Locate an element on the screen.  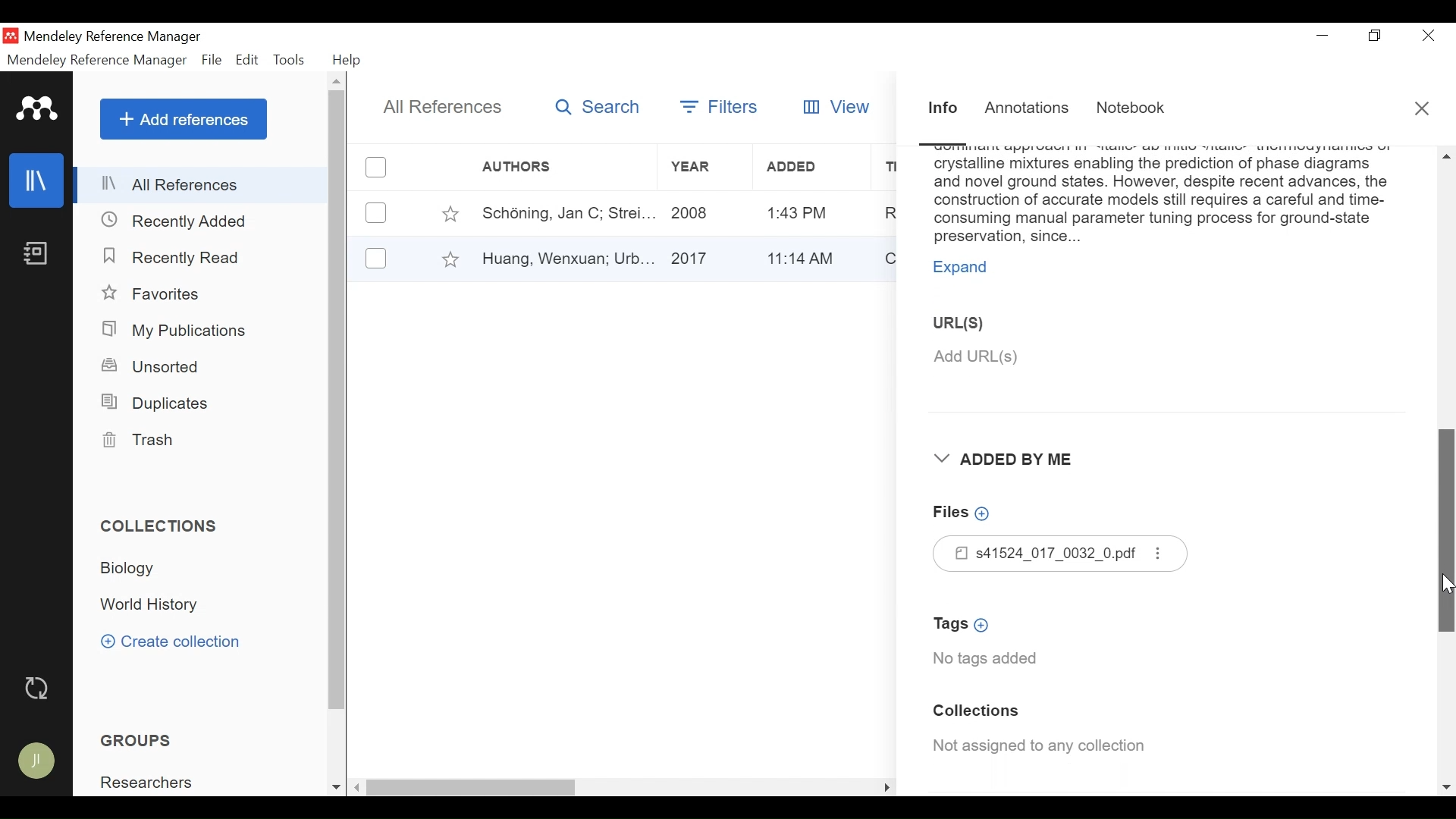
No tags added is located at coordinates (1057, 661).